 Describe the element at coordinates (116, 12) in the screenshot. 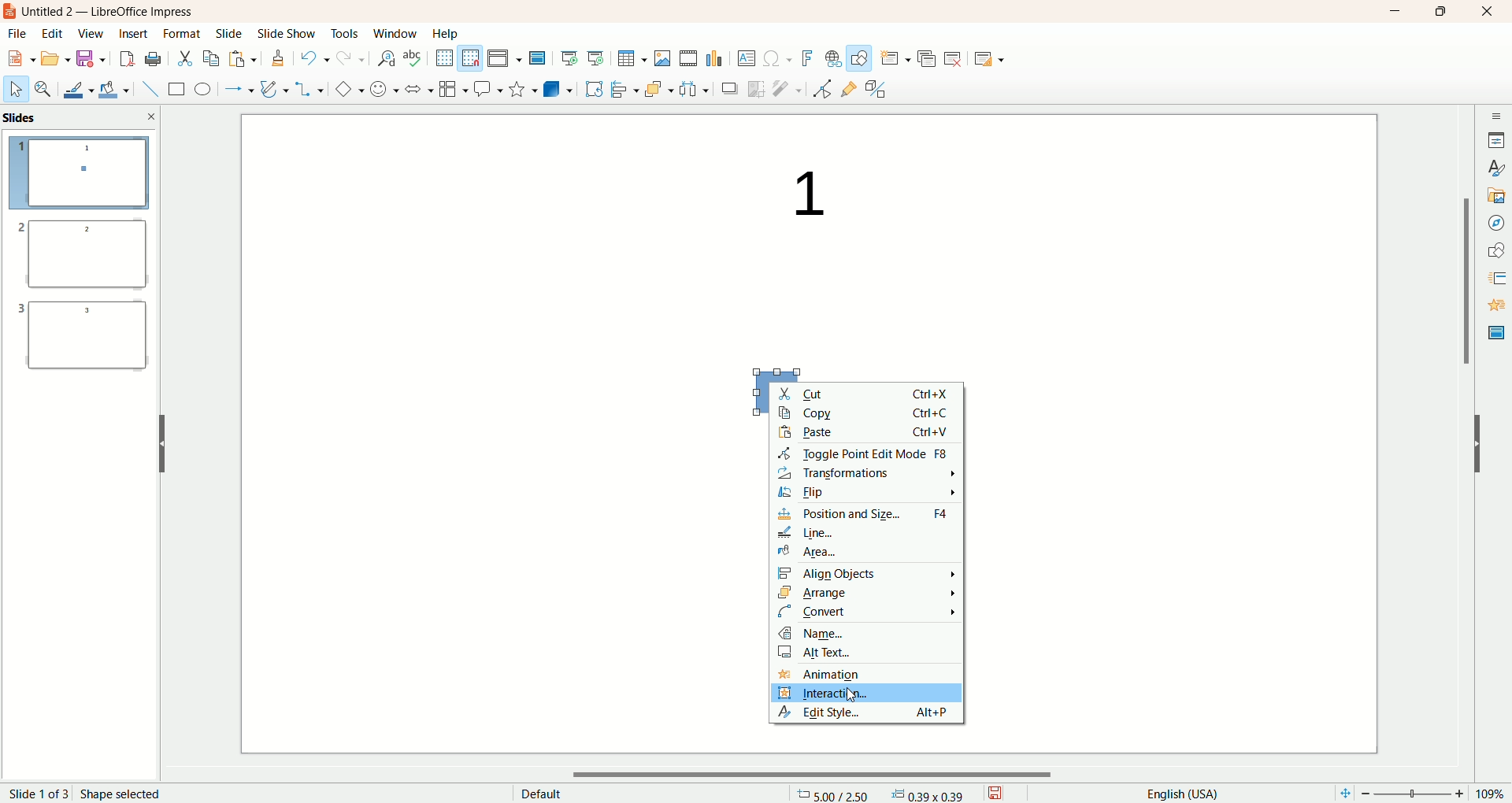

I see `title` at that location.